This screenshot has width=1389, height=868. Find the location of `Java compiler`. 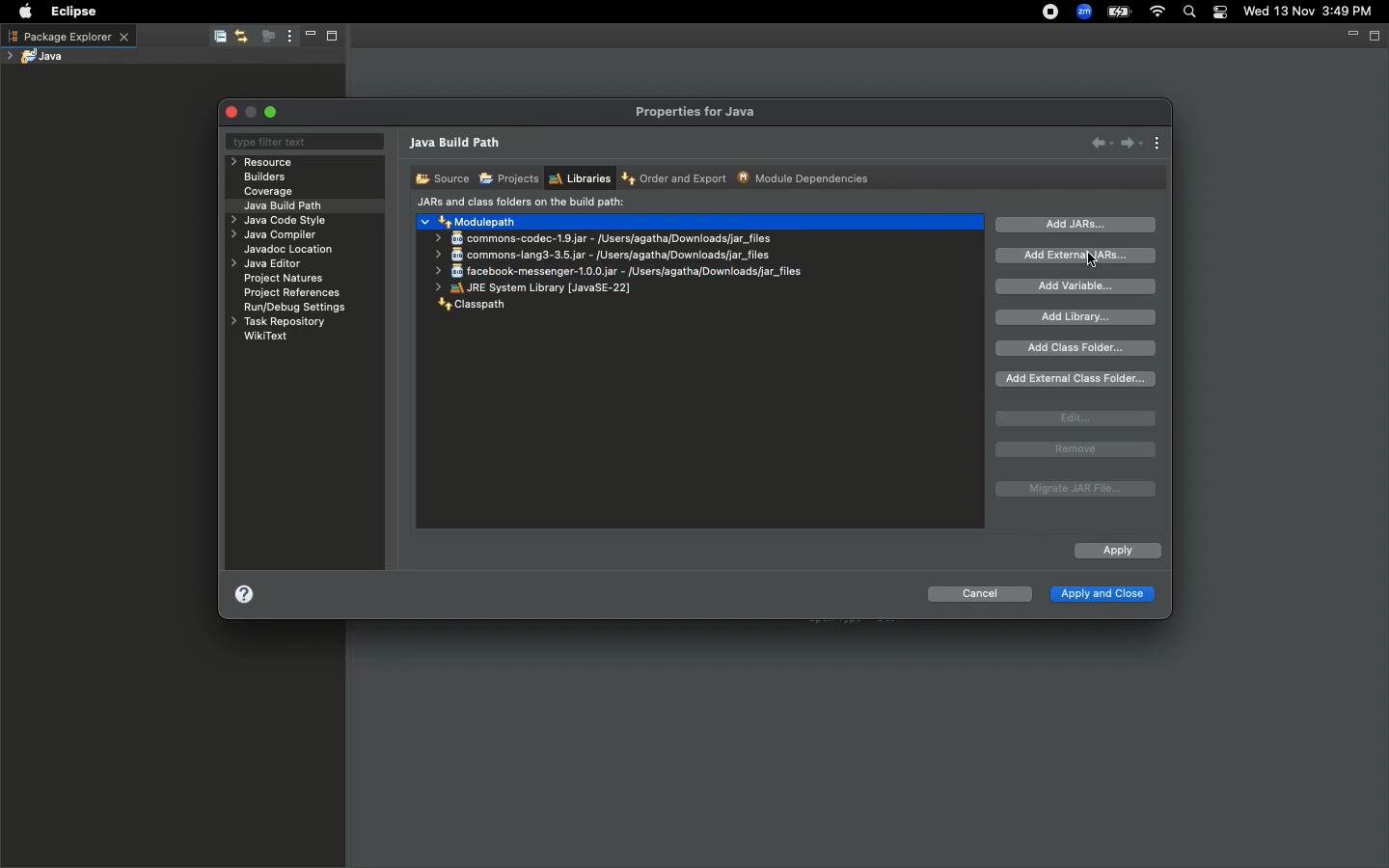

Java compiler is located at coordinates (277, 237).